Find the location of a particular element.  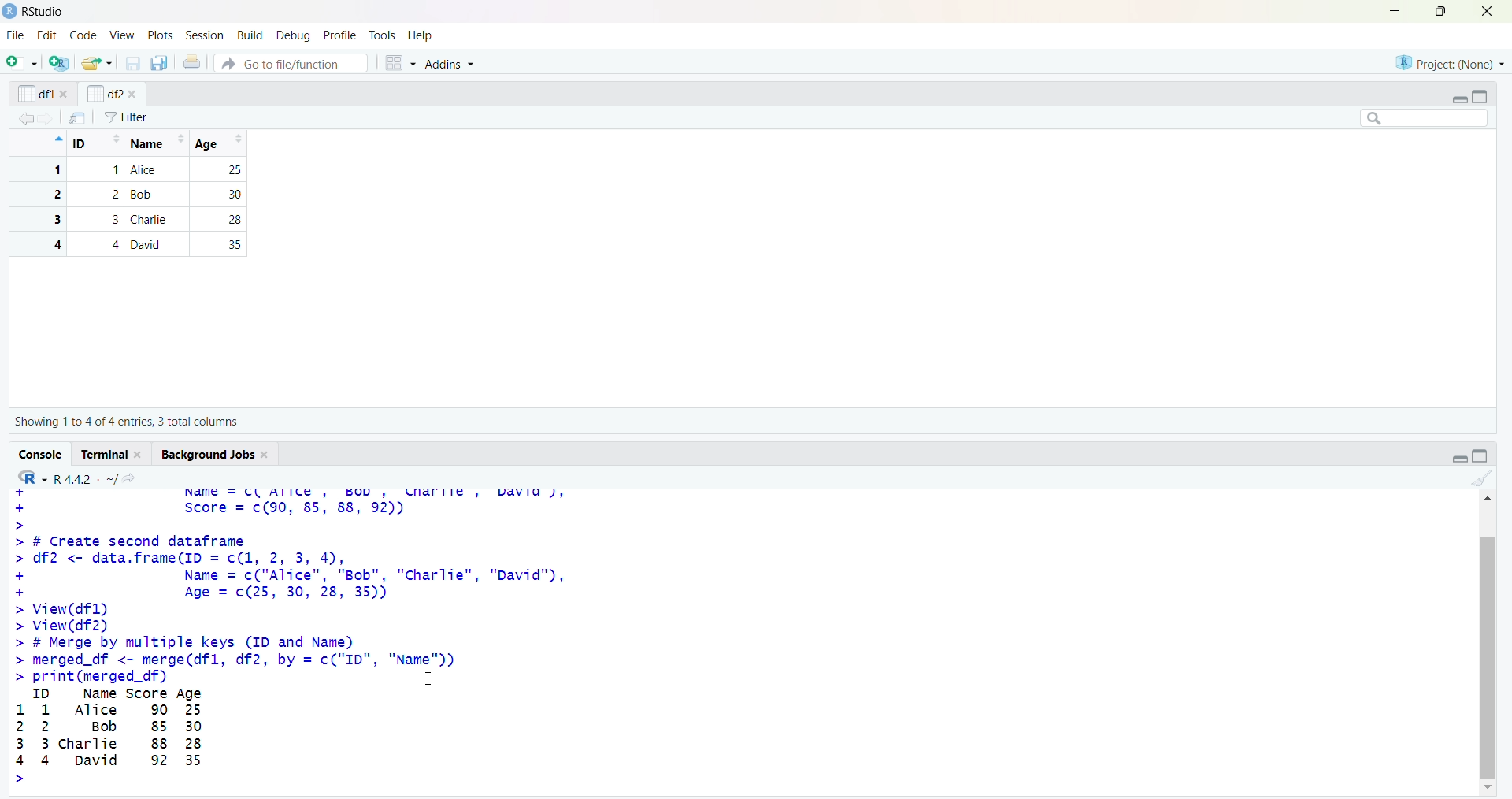

code is located at coordinates (84, 35).